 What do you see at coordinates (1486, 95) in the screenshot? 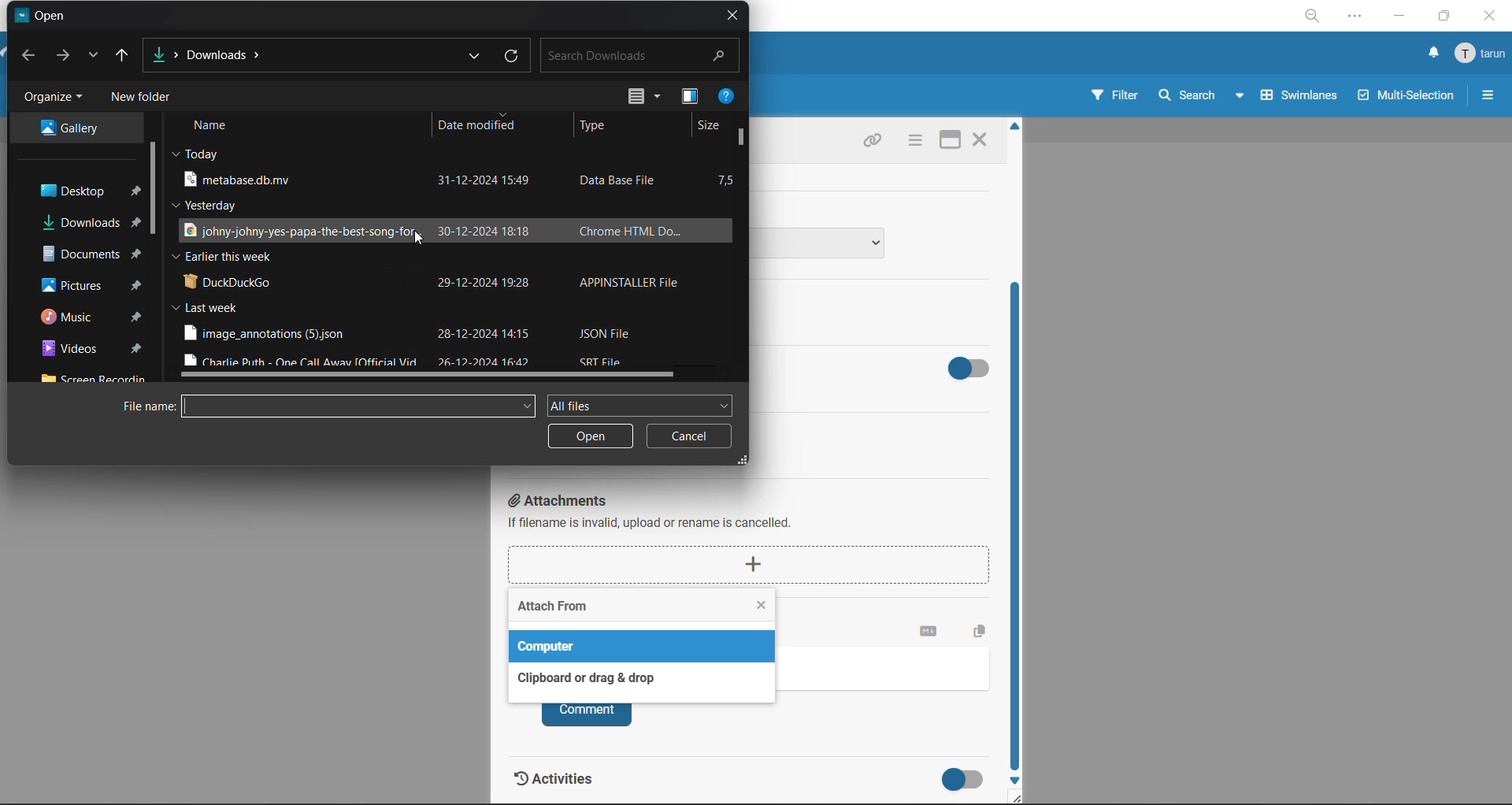
I see `sidebar` at bounding box center [1486, 95].